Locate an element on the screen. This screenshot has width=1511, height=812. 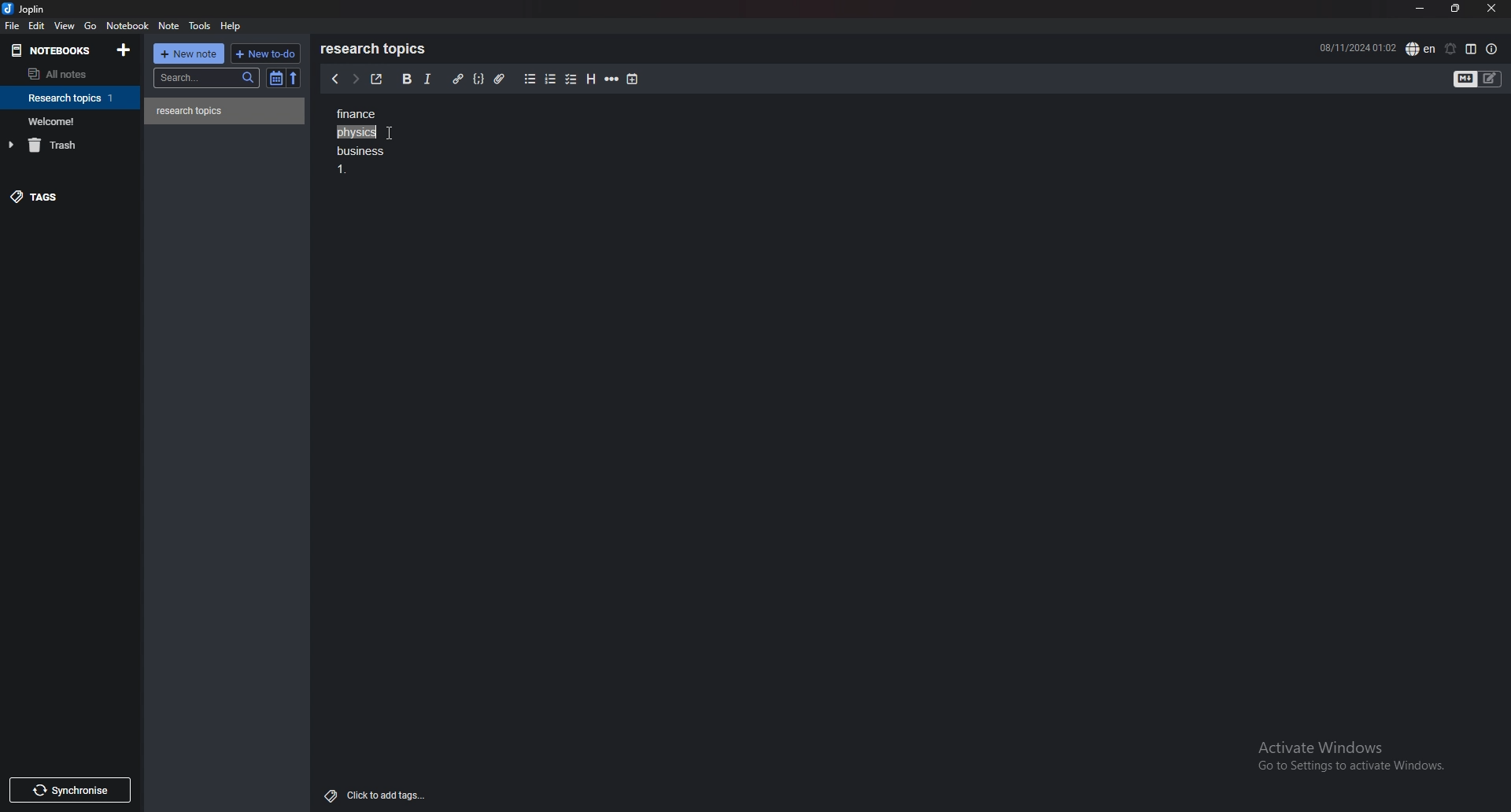
joplin is located at coordinates (25, 10).